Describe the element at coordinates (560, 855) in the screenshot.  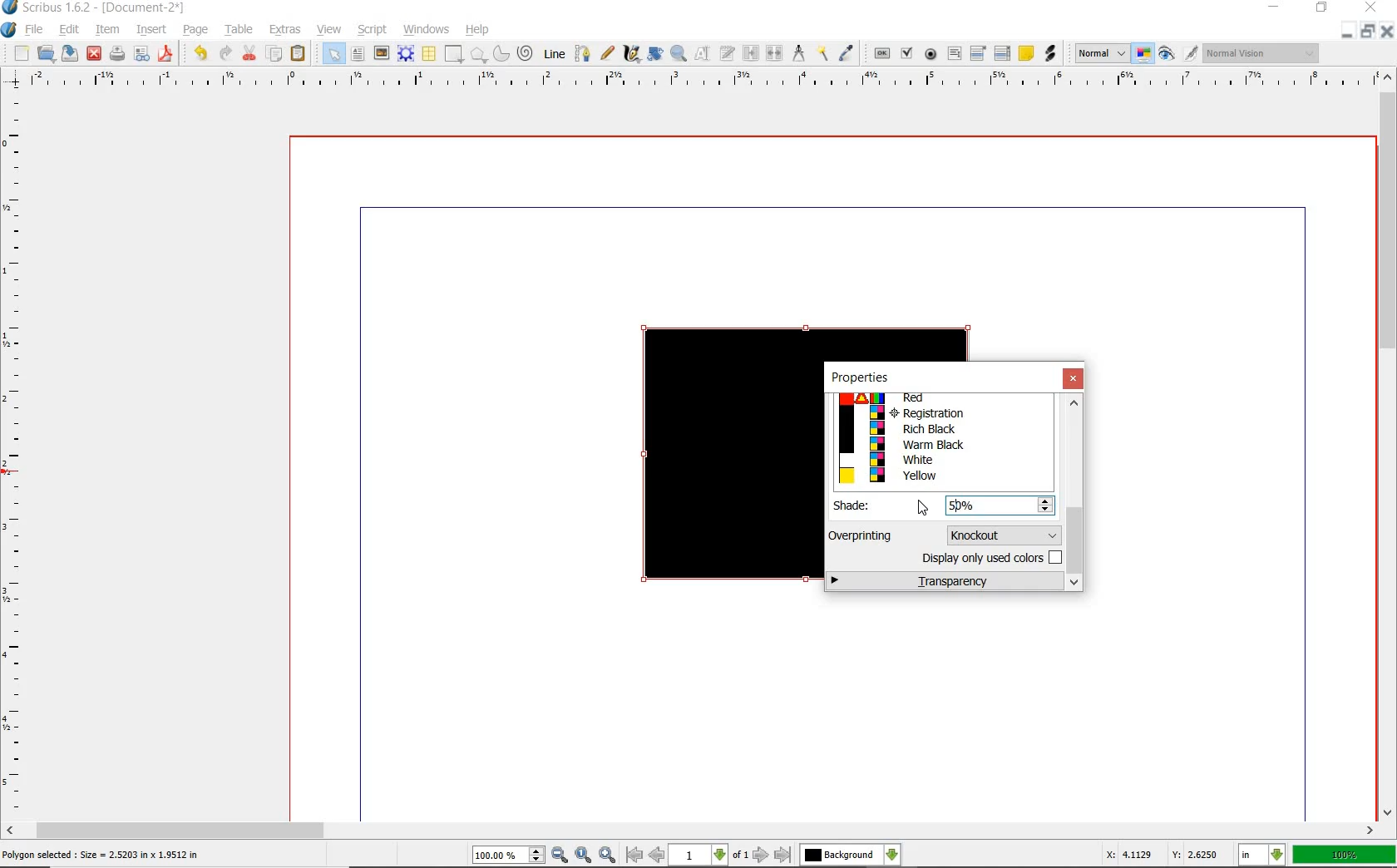
I see `zoom out` at that location.